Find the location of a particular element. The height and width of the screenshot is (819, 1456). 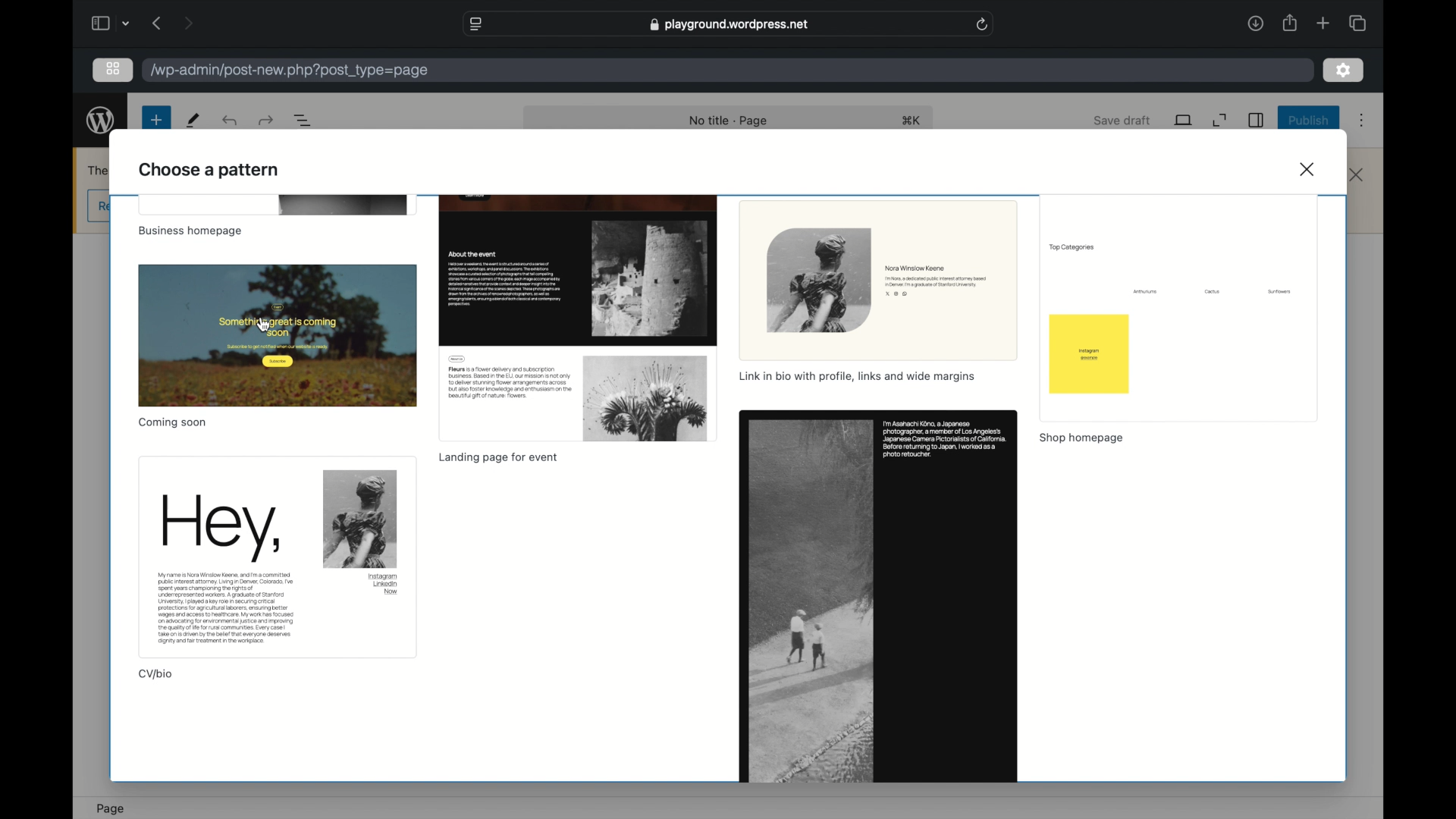

next page is located at coordinates (188, 23).